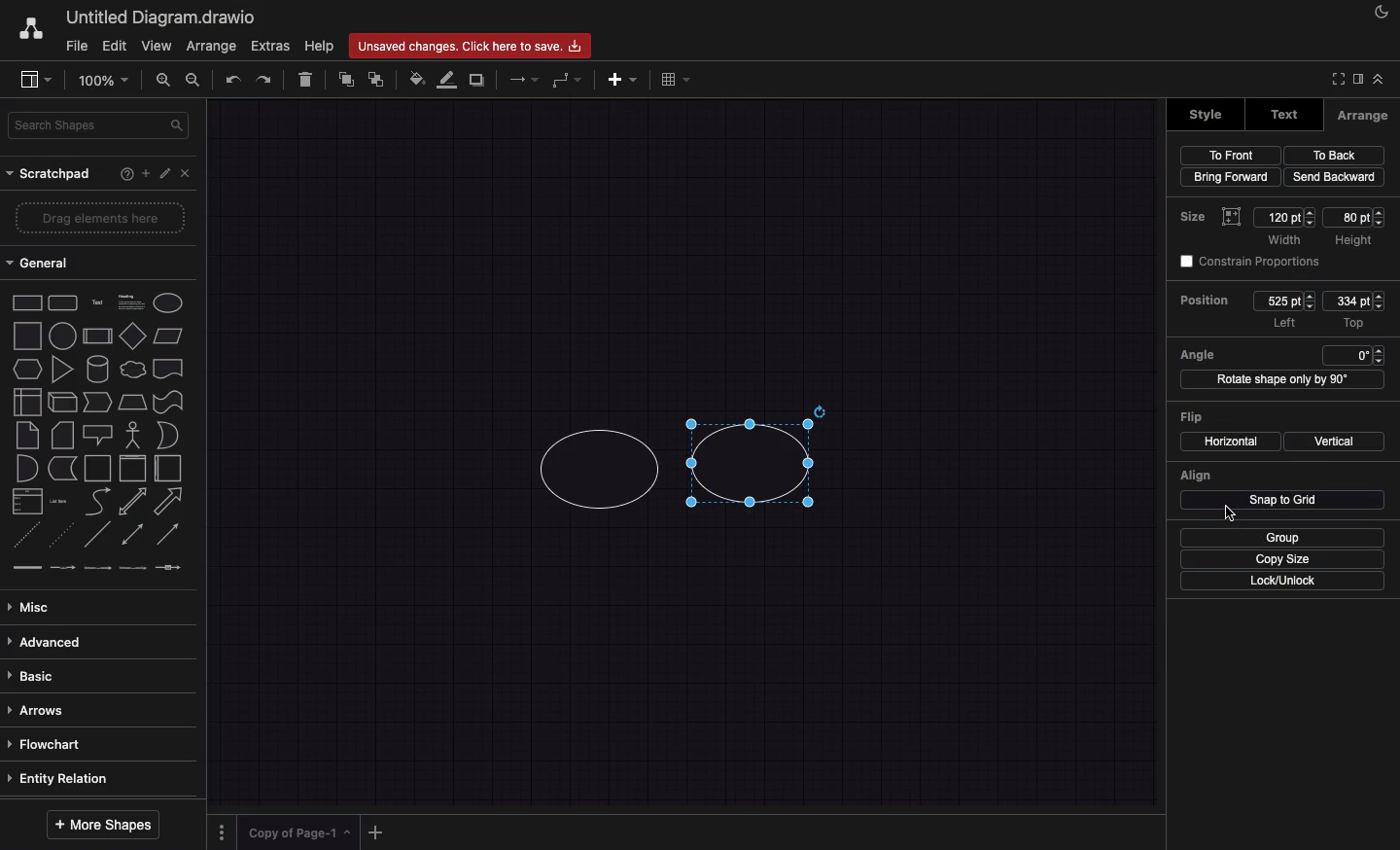  Describe the element at coordinates (1231, 156) in the screenshot. I see `to front` at that location.